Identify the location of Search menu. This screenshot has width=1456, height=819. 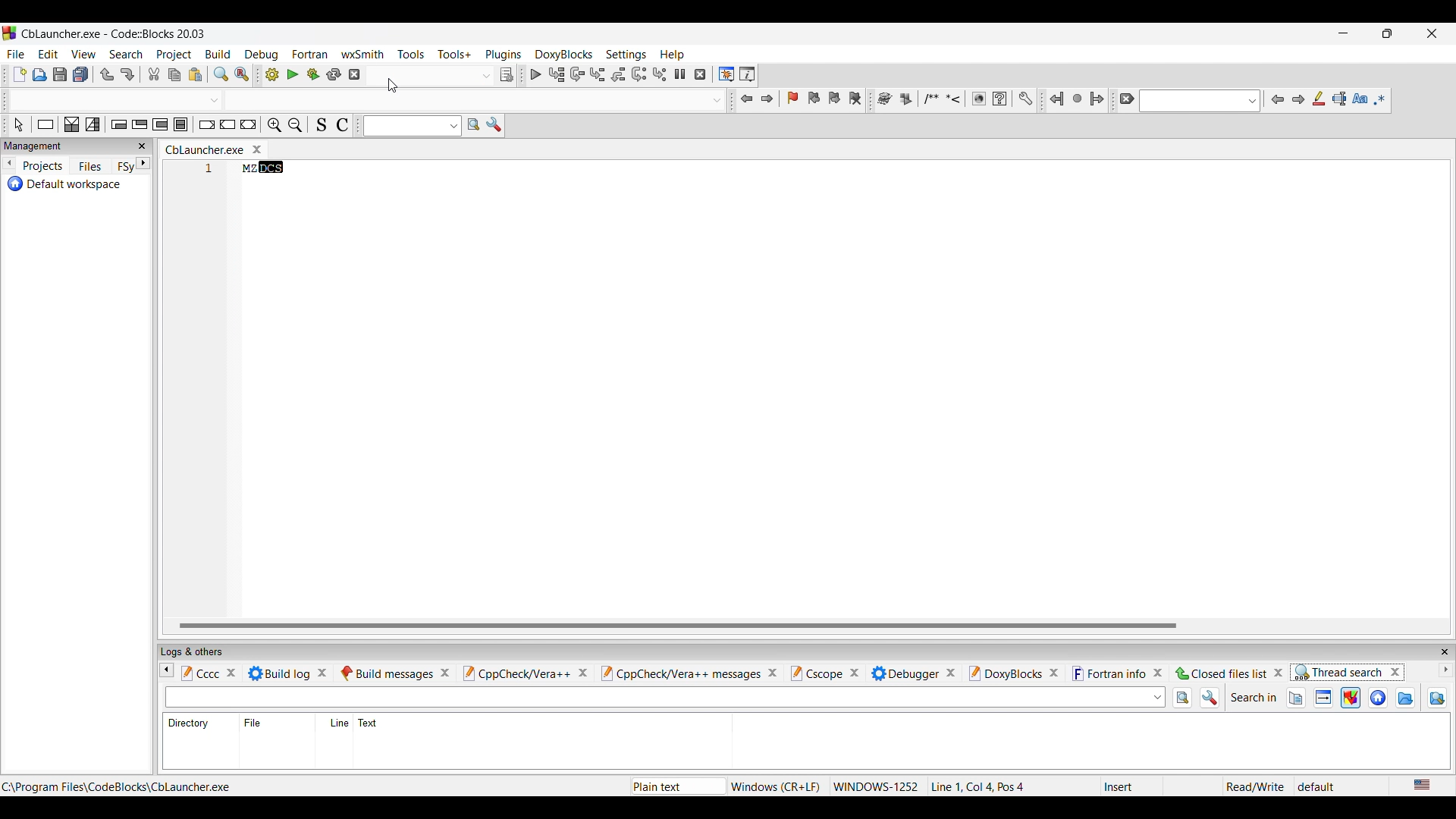
(127, 54).